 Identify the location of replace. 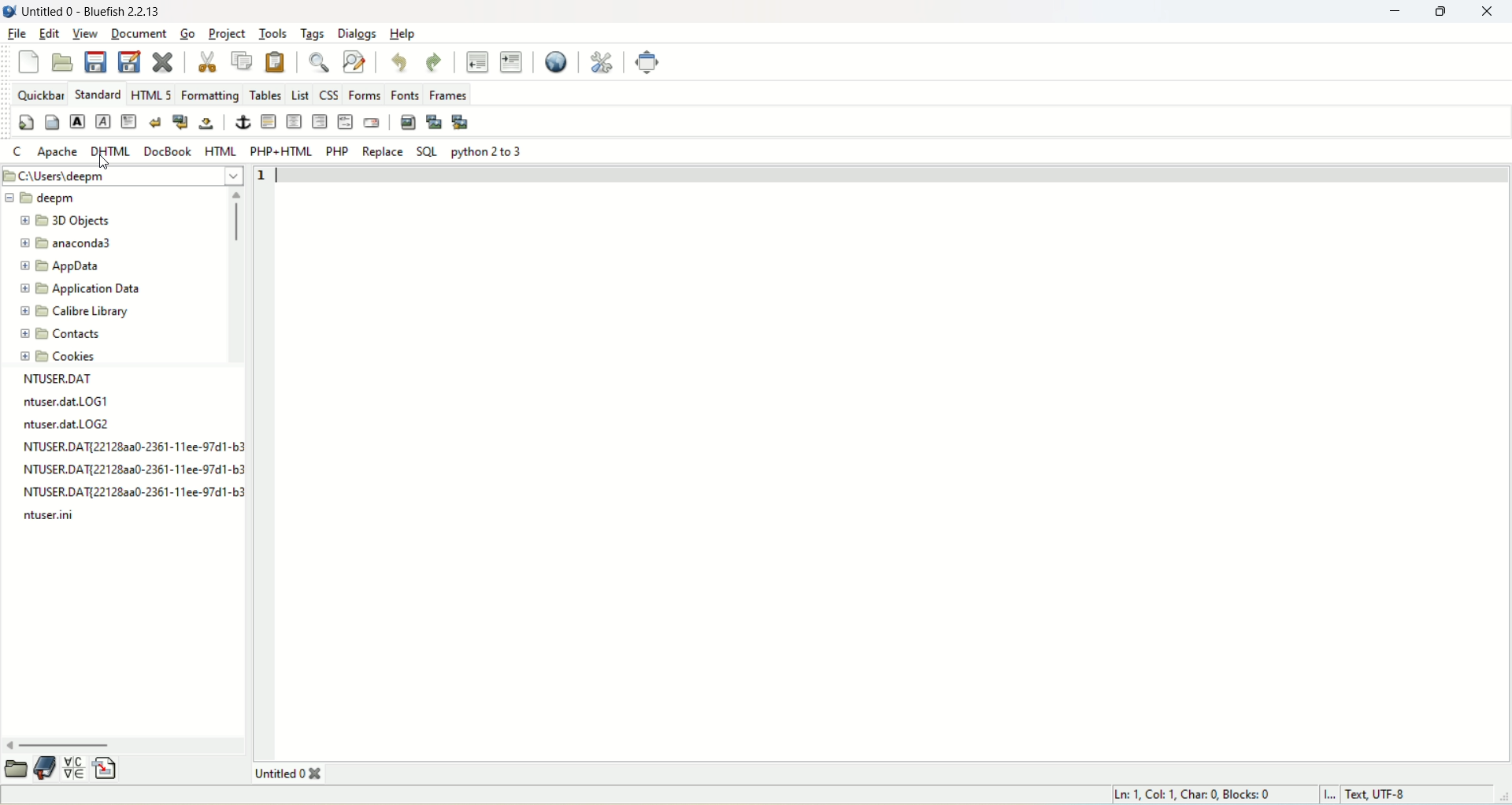
(380, 151).